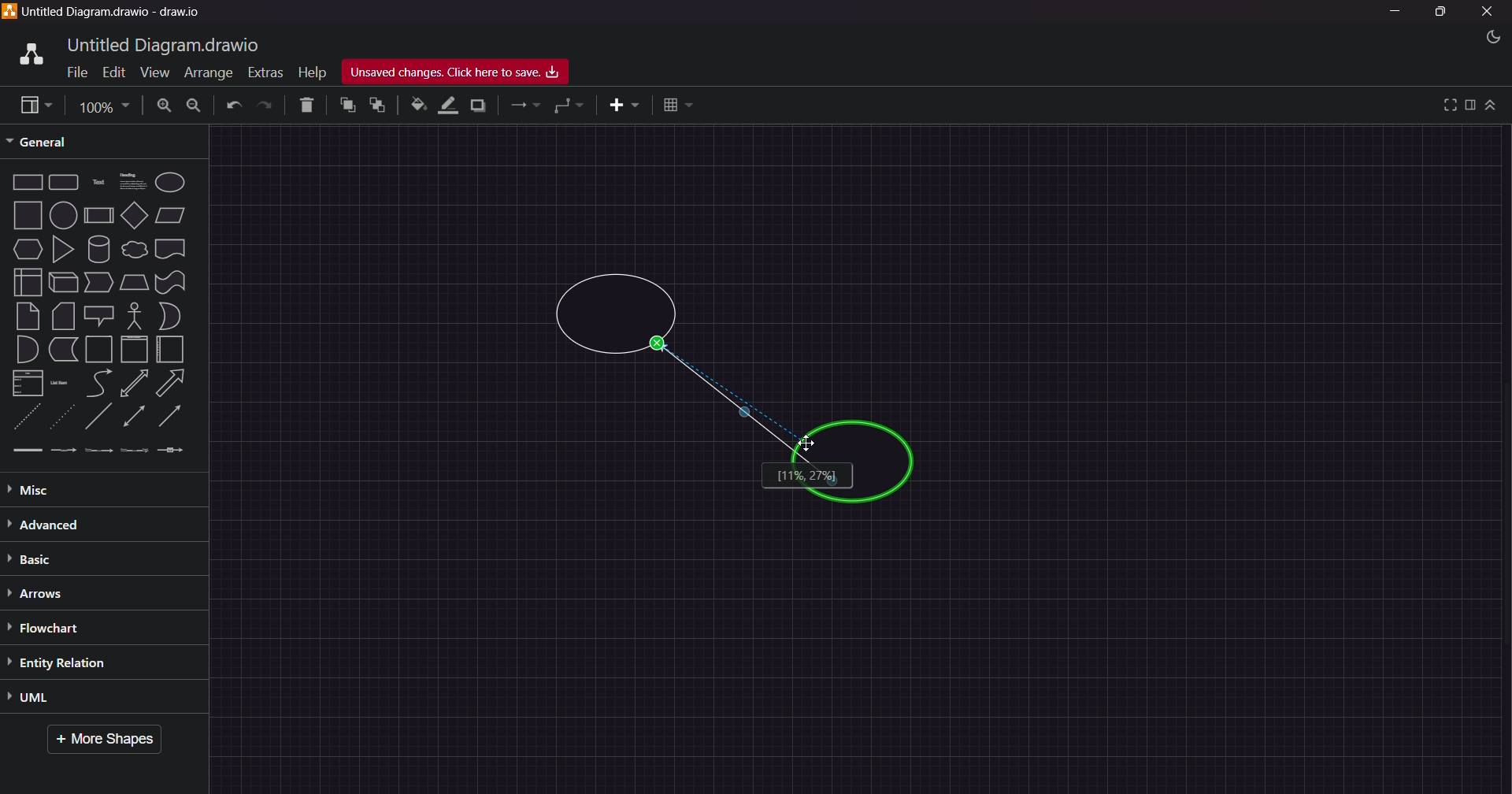 The height and width of the screenshot is (794, 1512). I want to click on fill color, so click(417, 105).